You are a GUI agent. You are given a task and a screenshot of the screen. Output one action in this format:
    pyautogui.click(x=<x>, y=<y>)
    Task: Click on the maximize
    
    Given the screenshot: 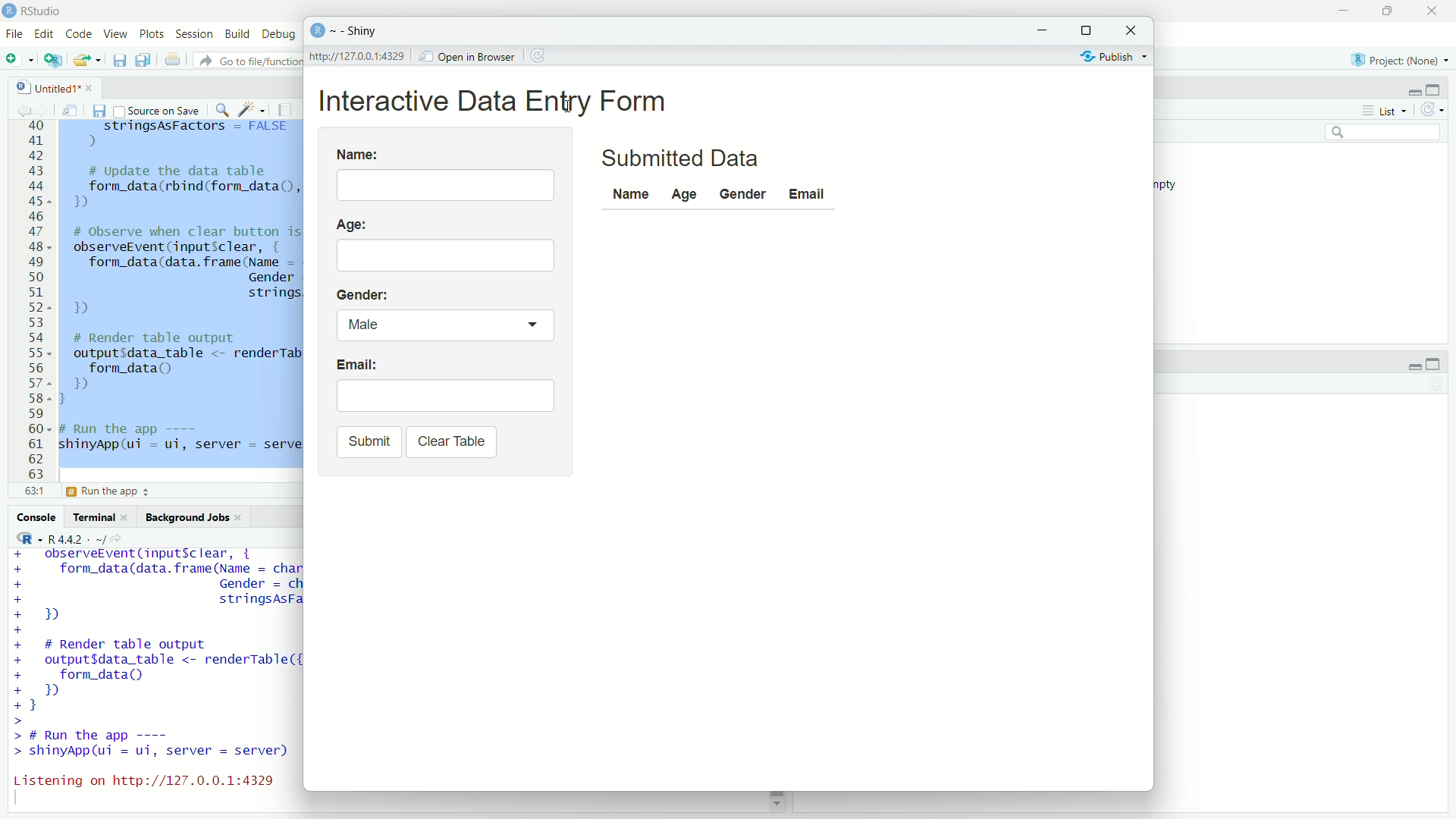 What is the action you would take?
    pyautogui.click(x=1091, y=27)
    